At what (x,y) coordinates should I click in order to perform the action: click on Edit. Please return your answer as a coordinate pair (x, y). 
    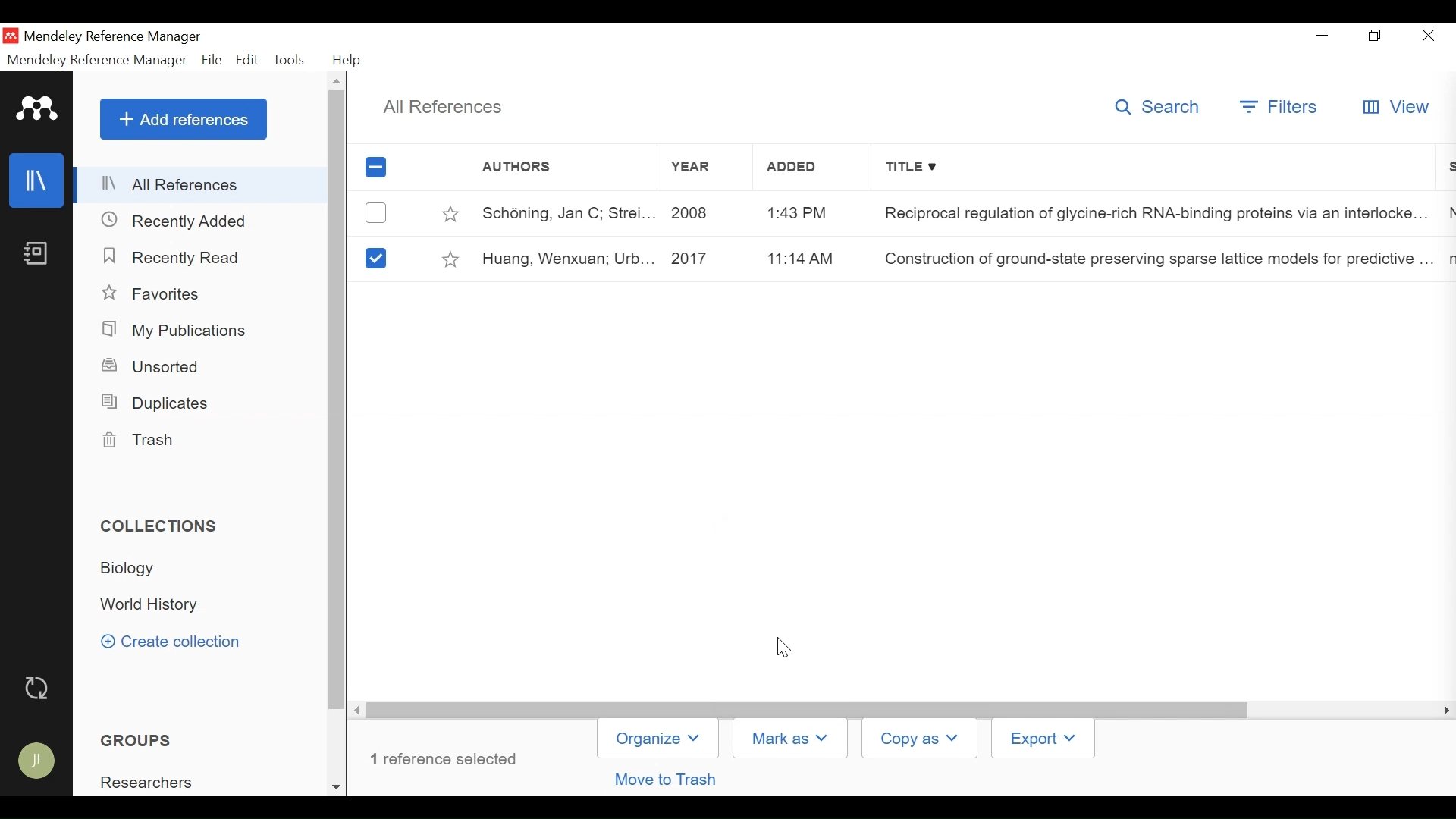
    Looking at the image, I should click on (246, 60).